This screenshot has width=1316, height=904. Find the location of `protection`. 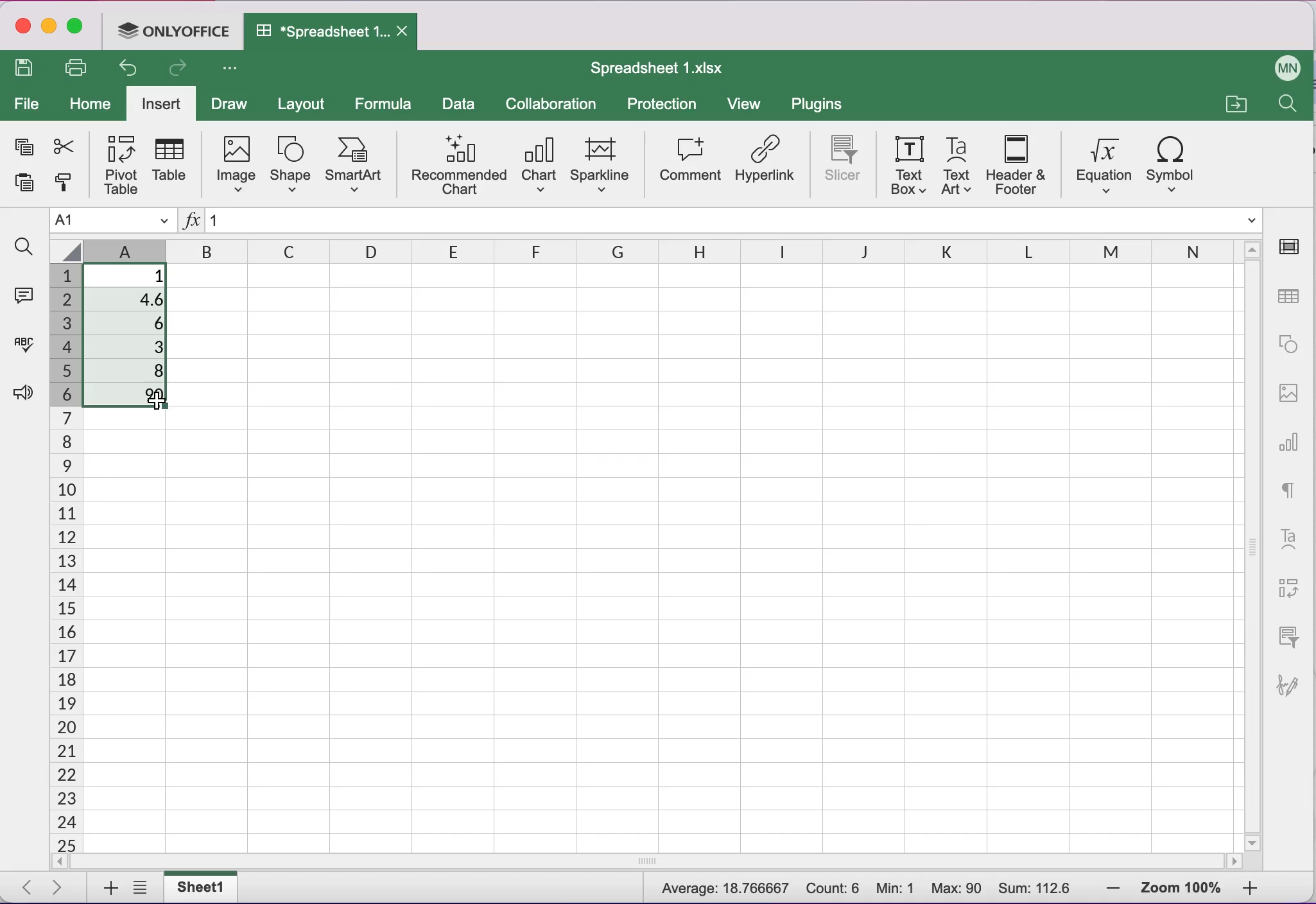

protection is located at coordinates (661, 105).